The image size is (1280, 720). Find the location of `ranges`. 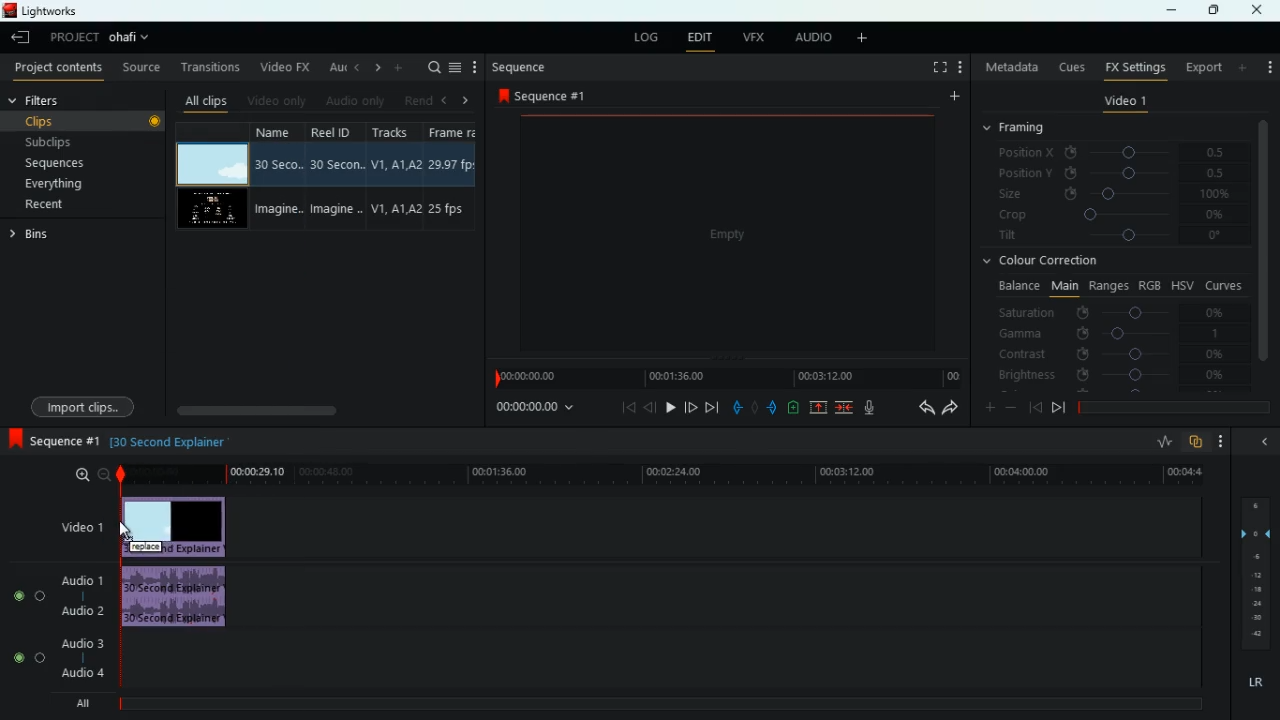

ranges is located at coordinates (1106, 286).